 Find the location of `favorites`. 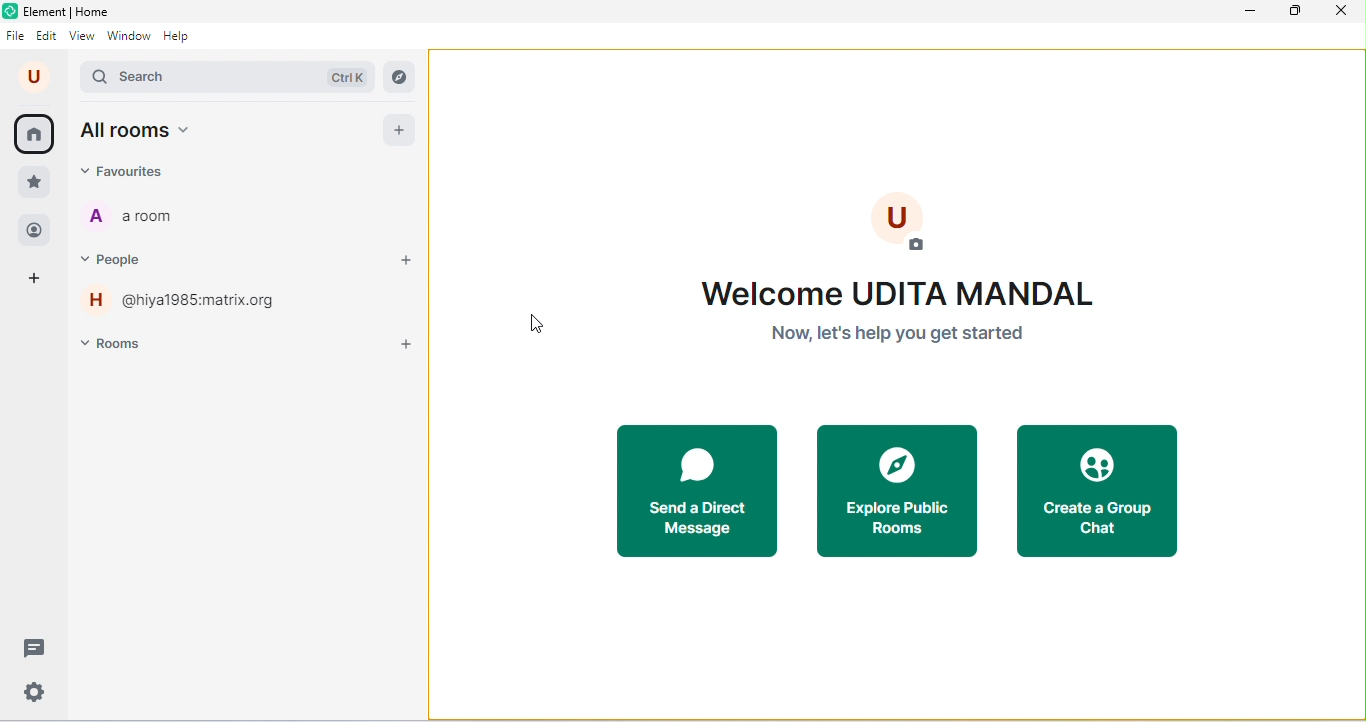

favorites is located at coordinates (124, 171).